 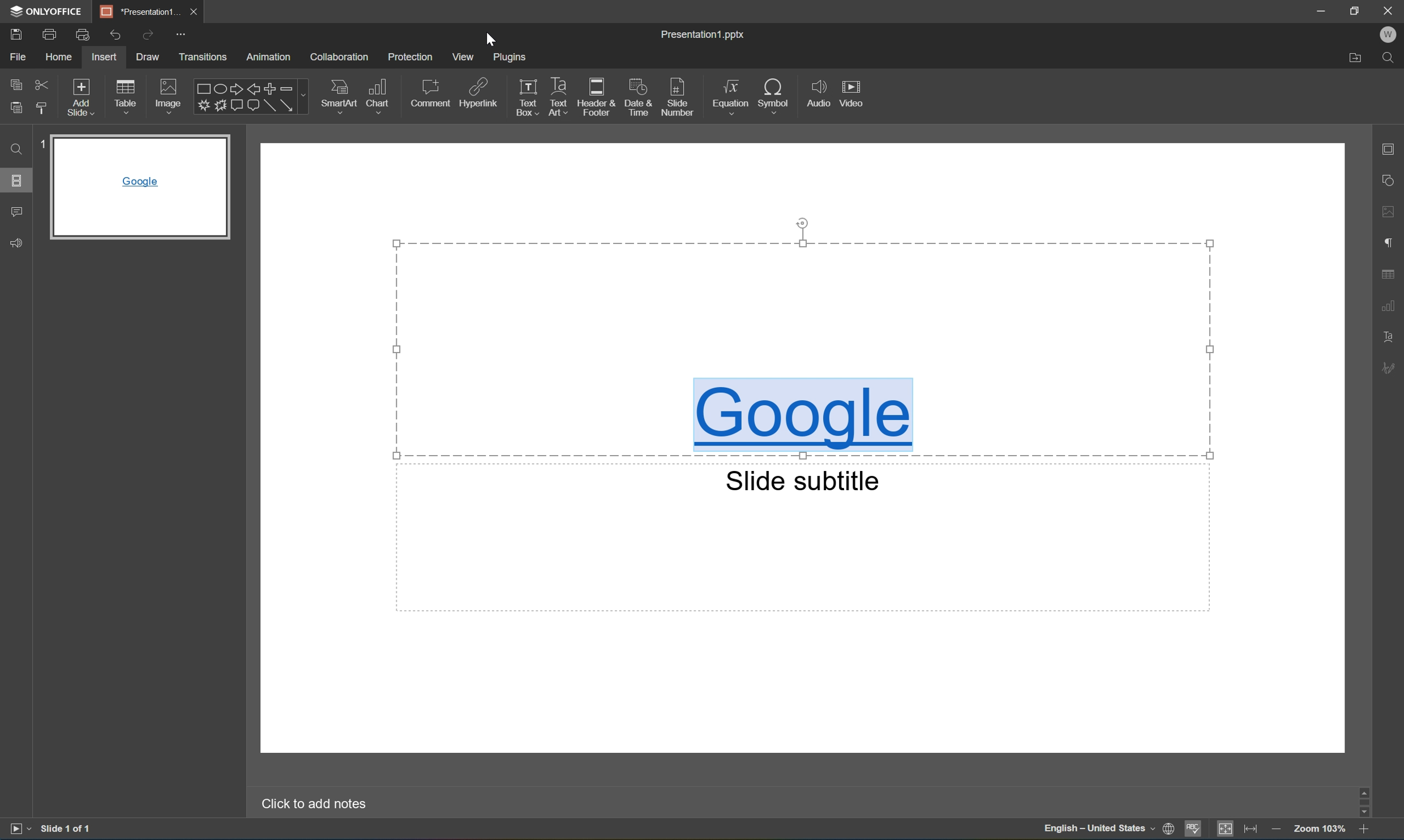 I want to click on Scroll bar, so click(x=1364, y=801).